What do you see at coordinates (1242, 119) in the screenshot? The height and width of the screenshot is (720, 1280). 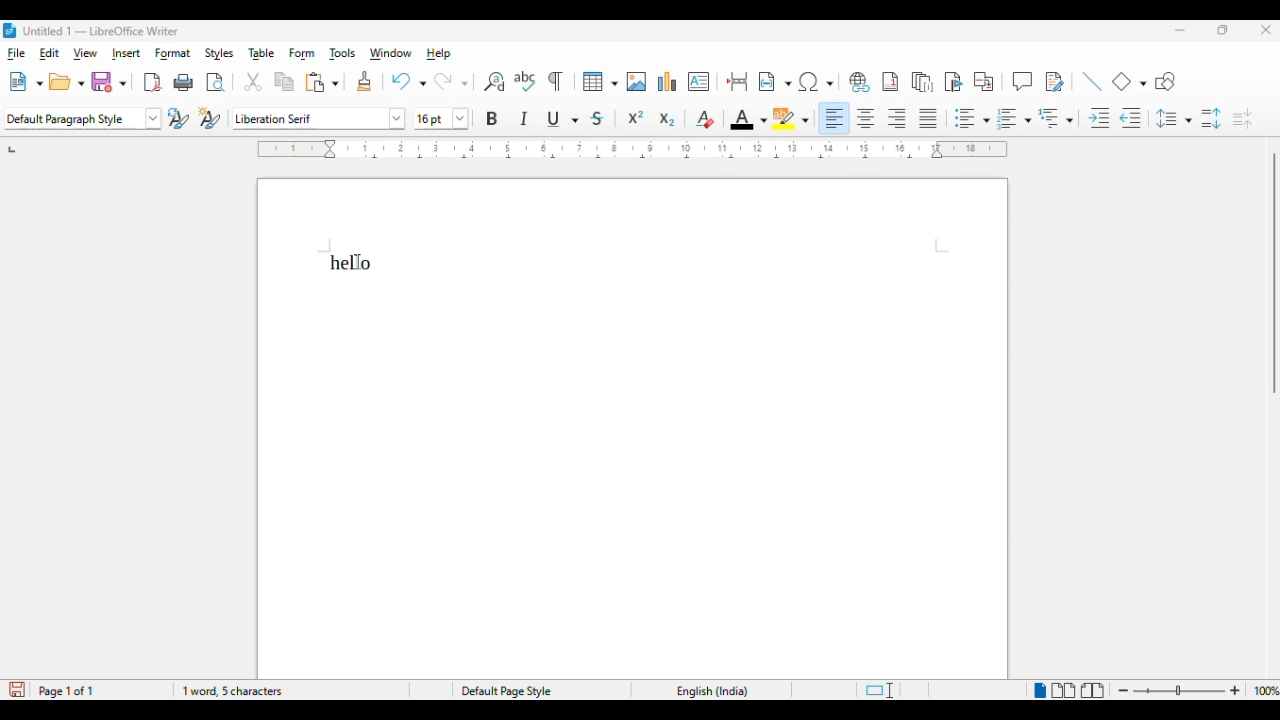 I see `decrease paragraph spacing` at bounding box center [1242, 119].